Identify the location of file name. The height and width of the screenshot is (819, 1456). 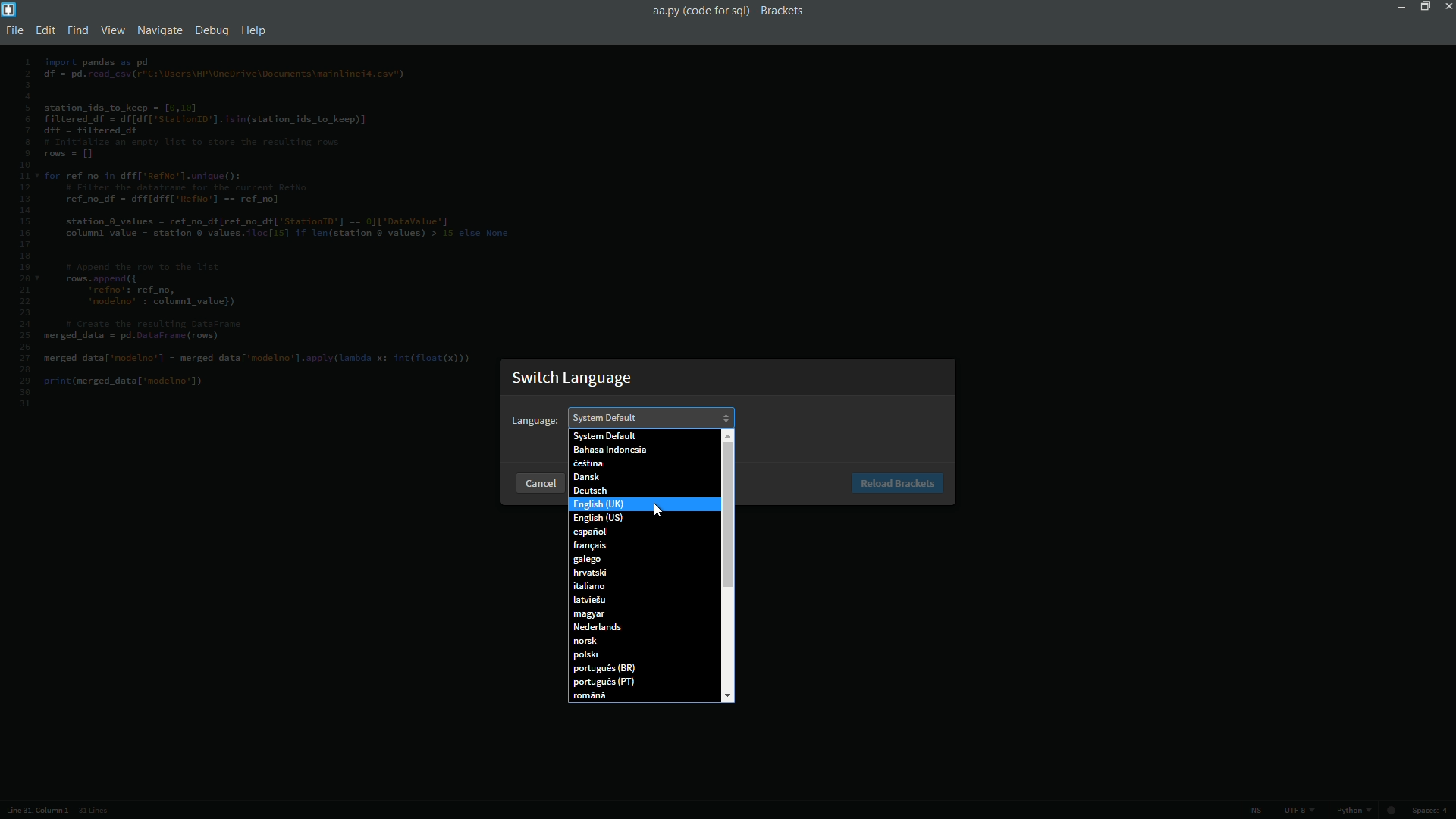
(698, 11).